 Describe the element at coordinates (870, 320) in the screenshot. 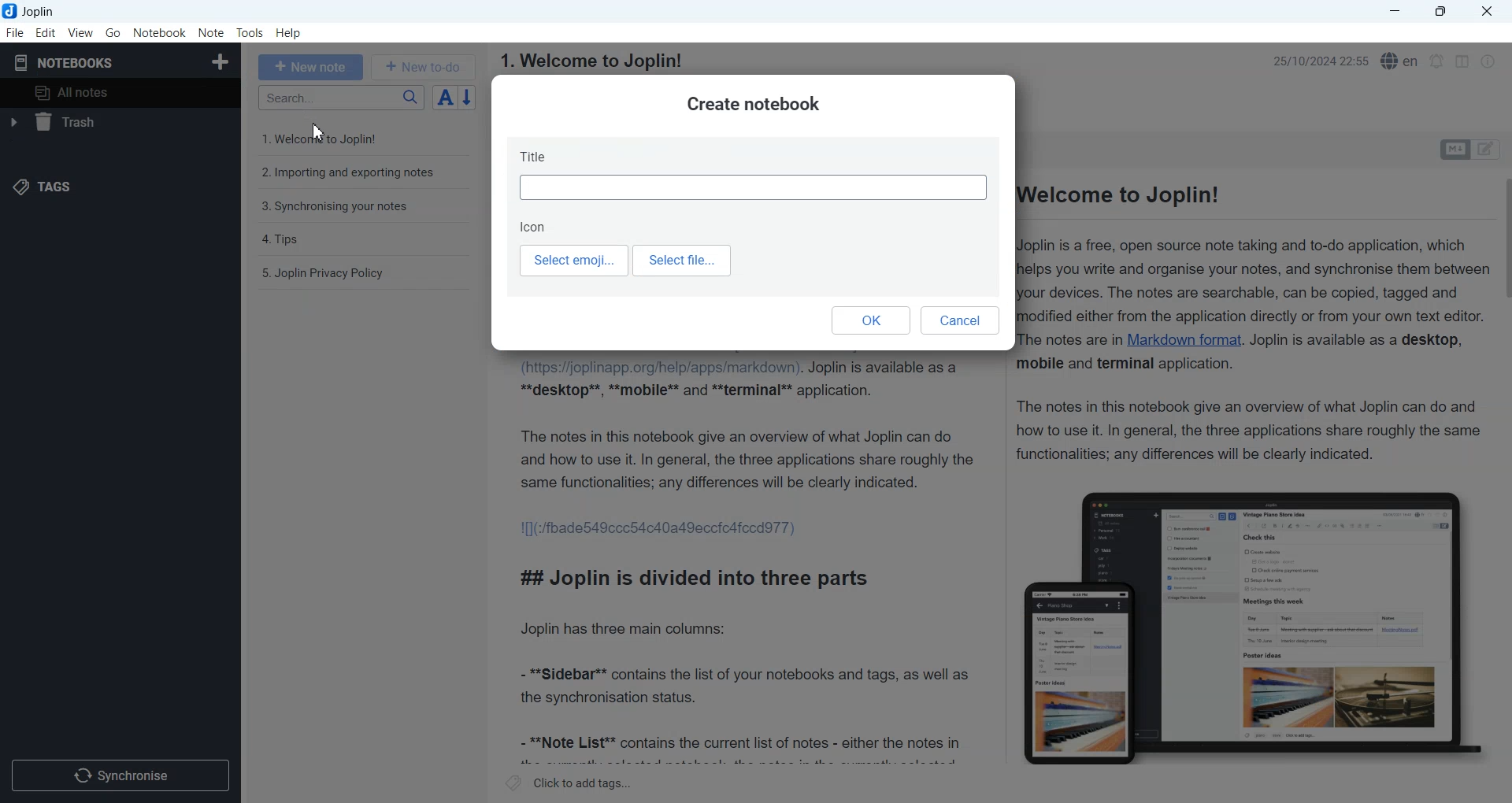

I see `OK` at that location.